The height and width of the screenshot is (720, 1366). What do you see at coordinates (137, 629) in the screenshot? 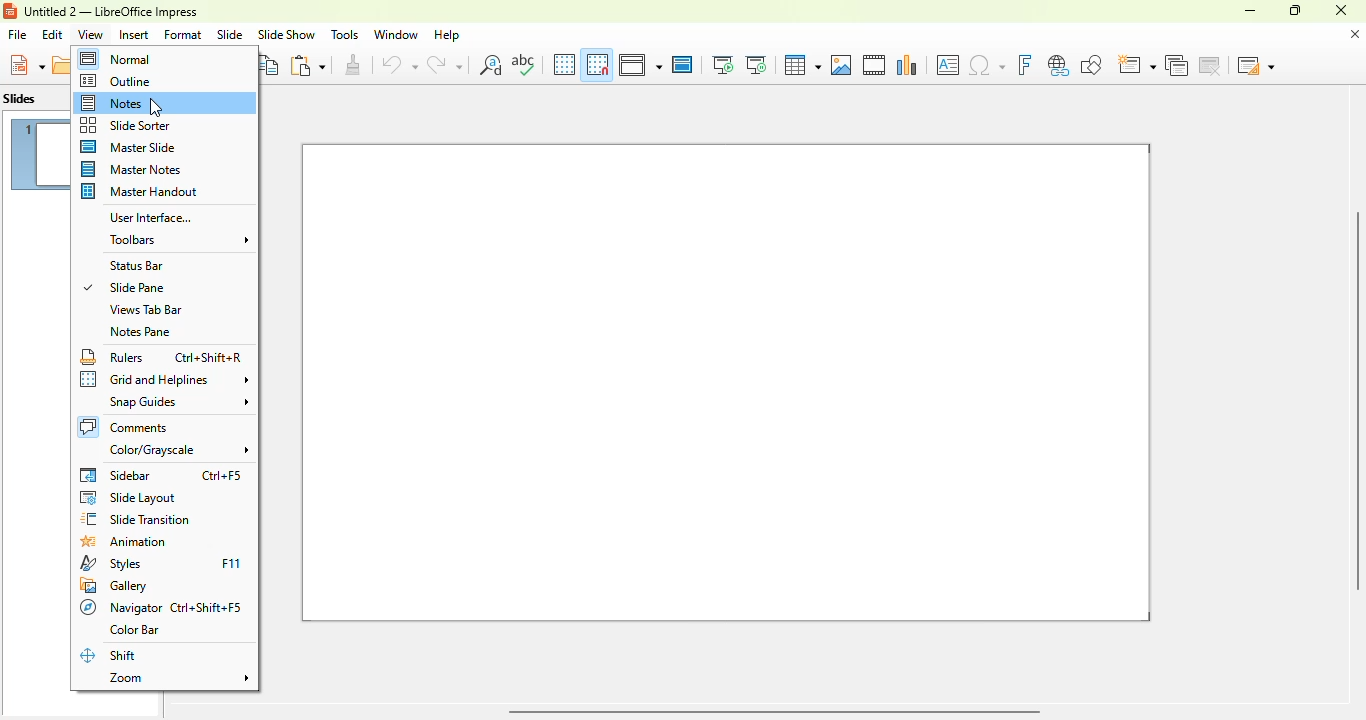
I see `color bar` at bounding box center [137, 629].